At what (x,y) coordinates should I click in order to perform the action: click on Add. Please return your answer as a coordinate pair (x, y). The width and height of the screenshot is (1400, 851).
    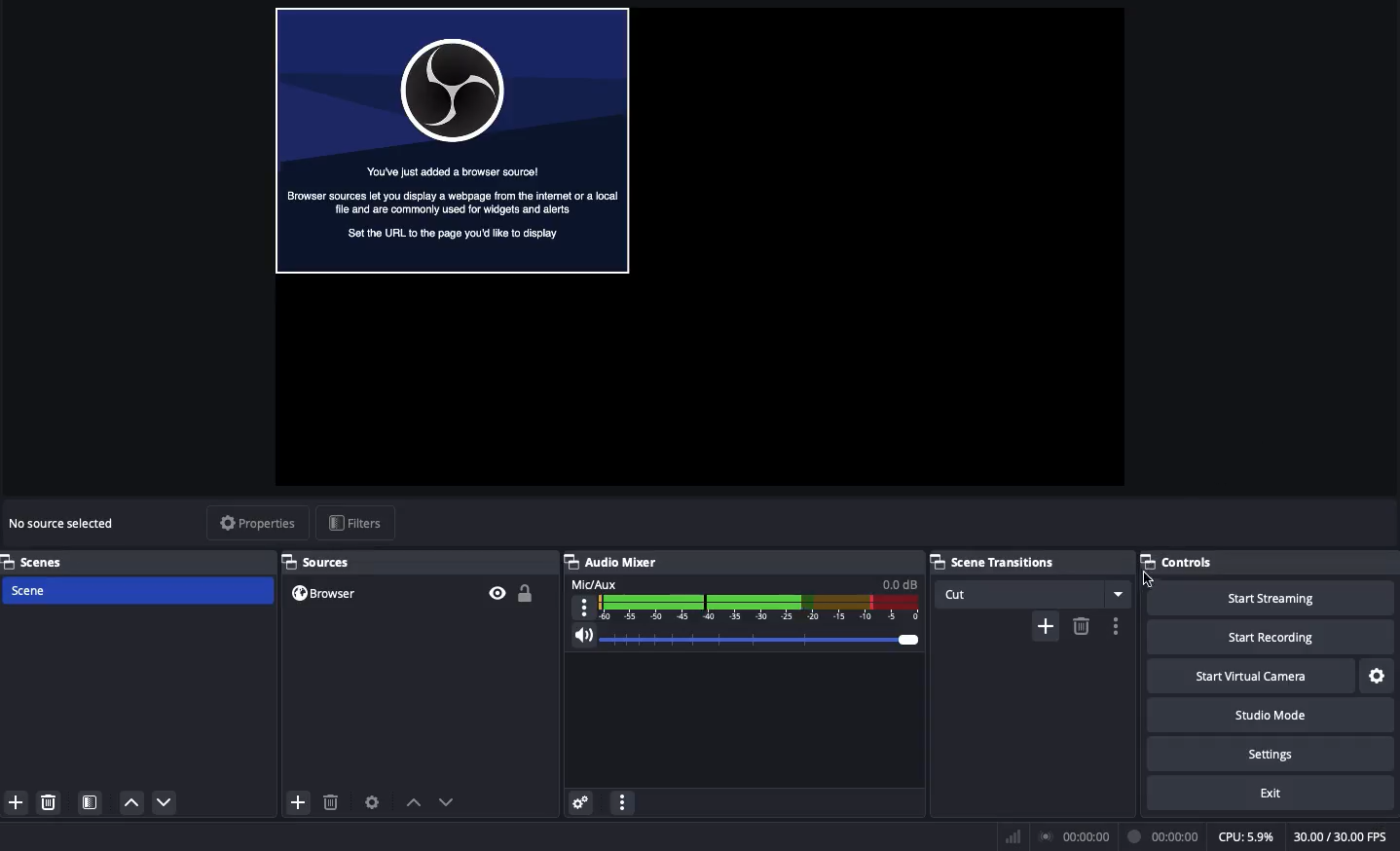
    Looking at the image, I should click on (18, 803).